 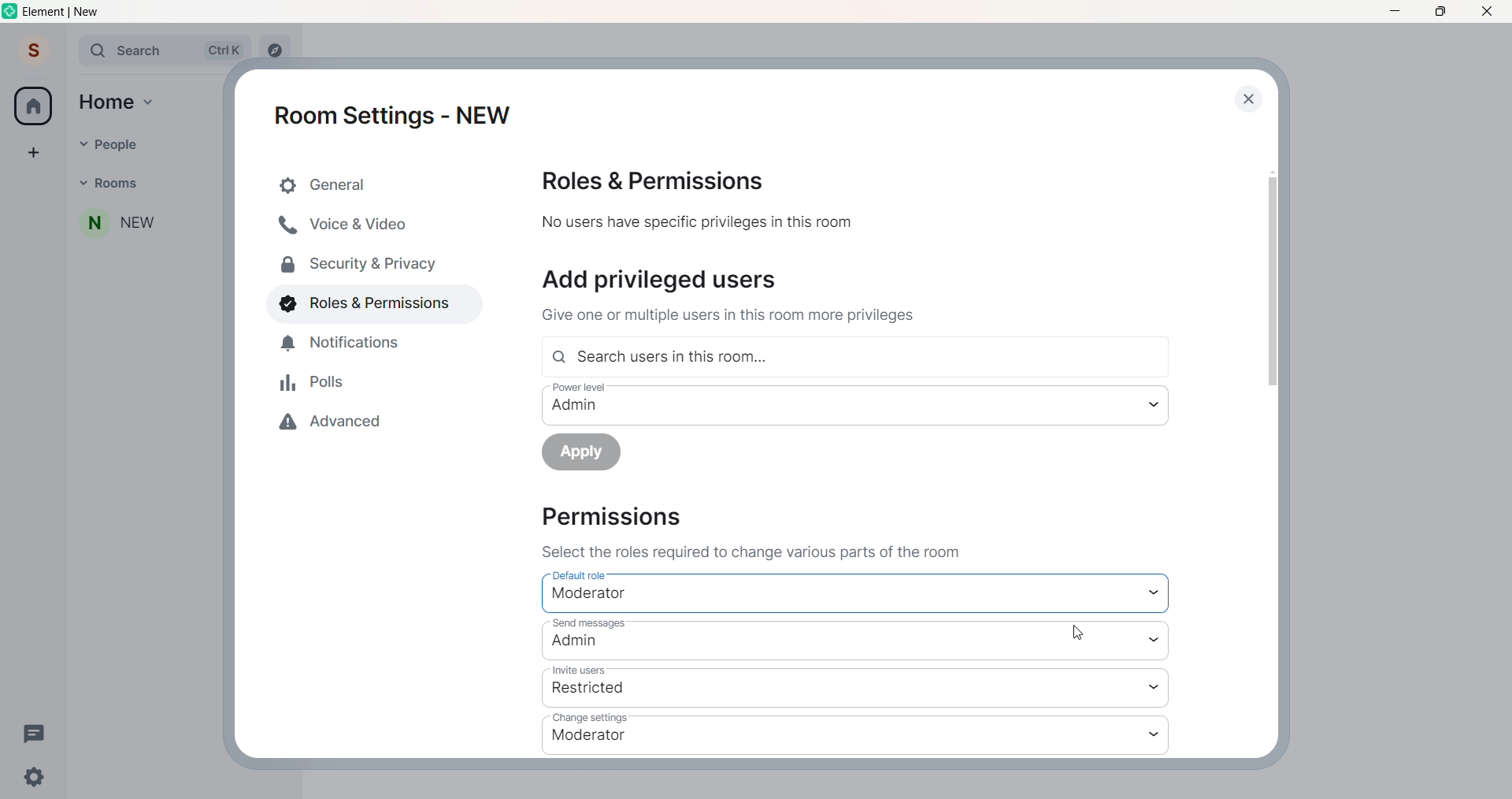 What do you see at coordinates (1159, 639) in the screenshot?
I see `send message dropdown` at bounding box center [1159, 639].